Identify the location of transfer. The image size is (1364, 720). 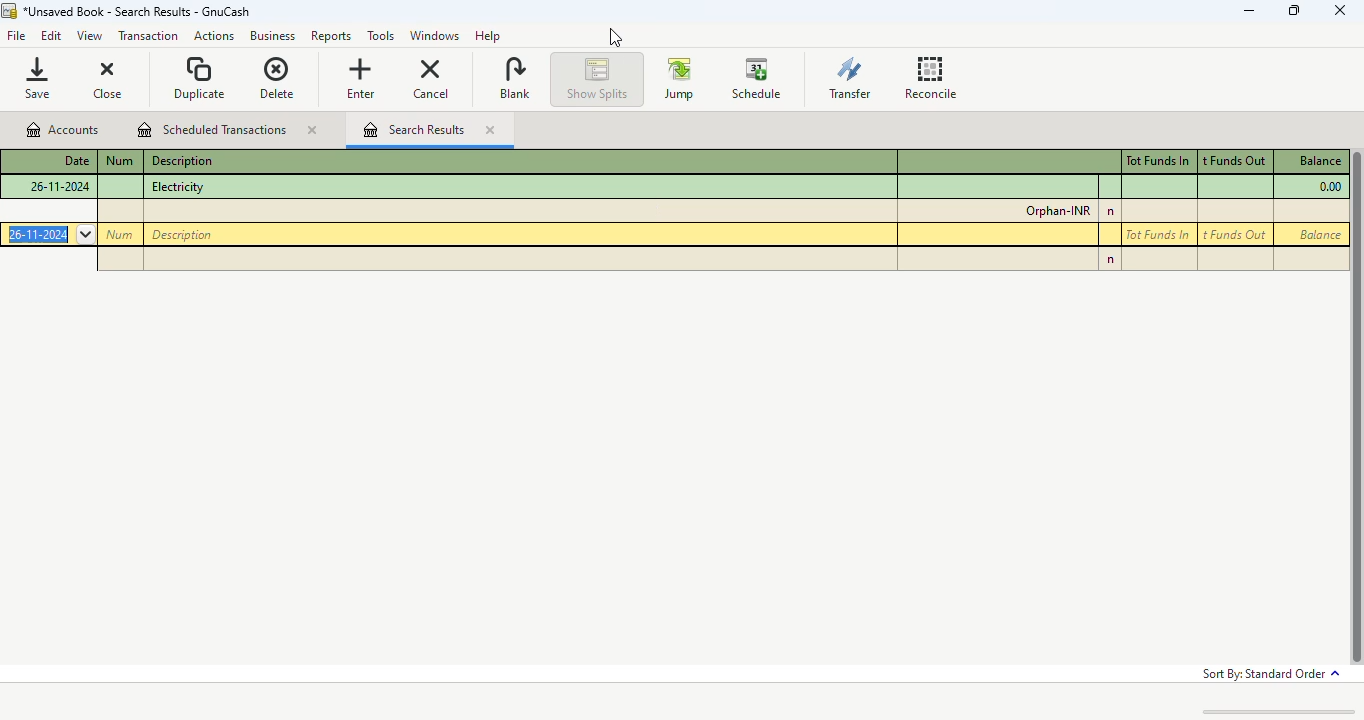
(848, 78).